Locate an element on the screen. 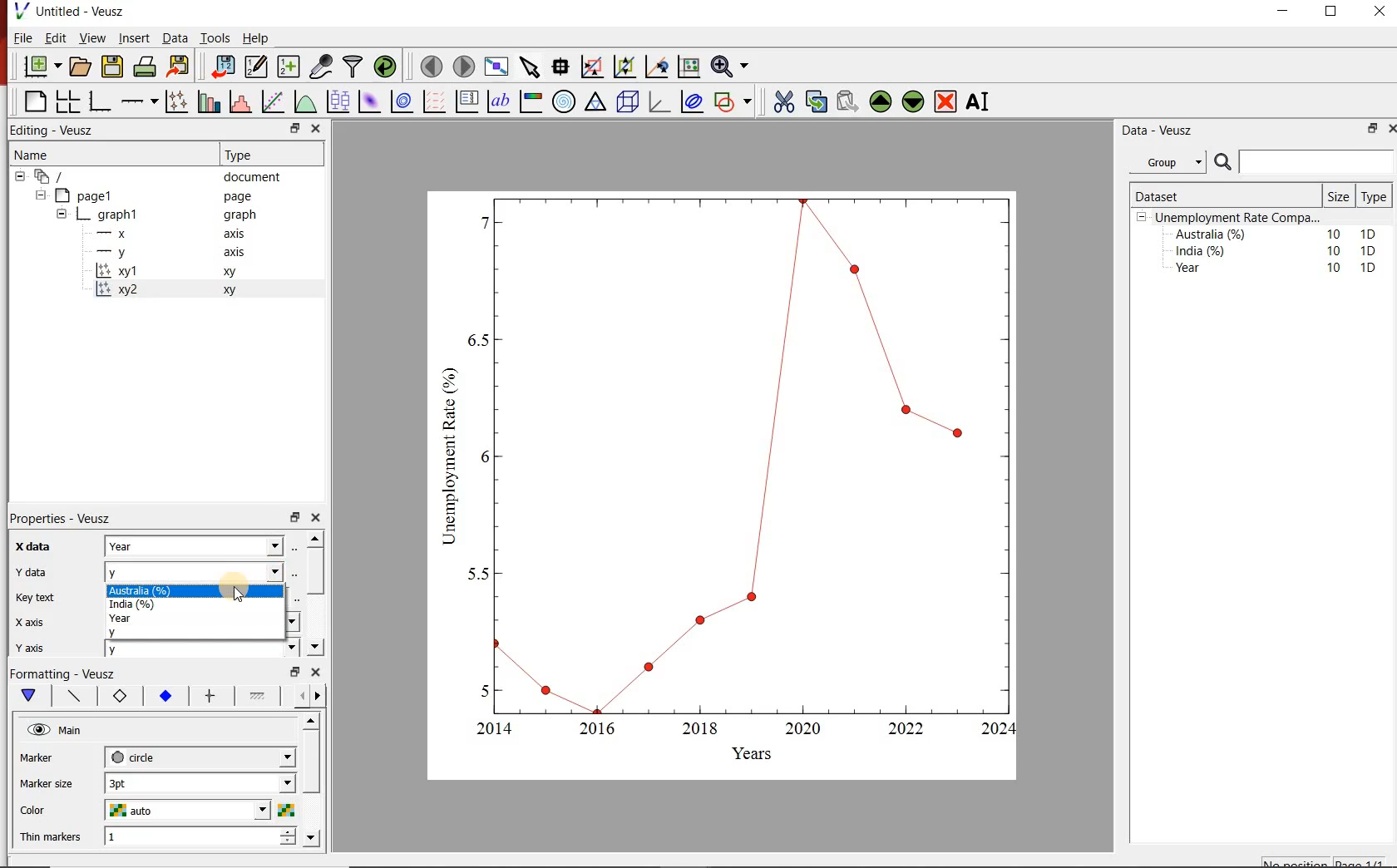 This screenshot has height=868, width=1397. collapse is located at coordinates (40, 195).